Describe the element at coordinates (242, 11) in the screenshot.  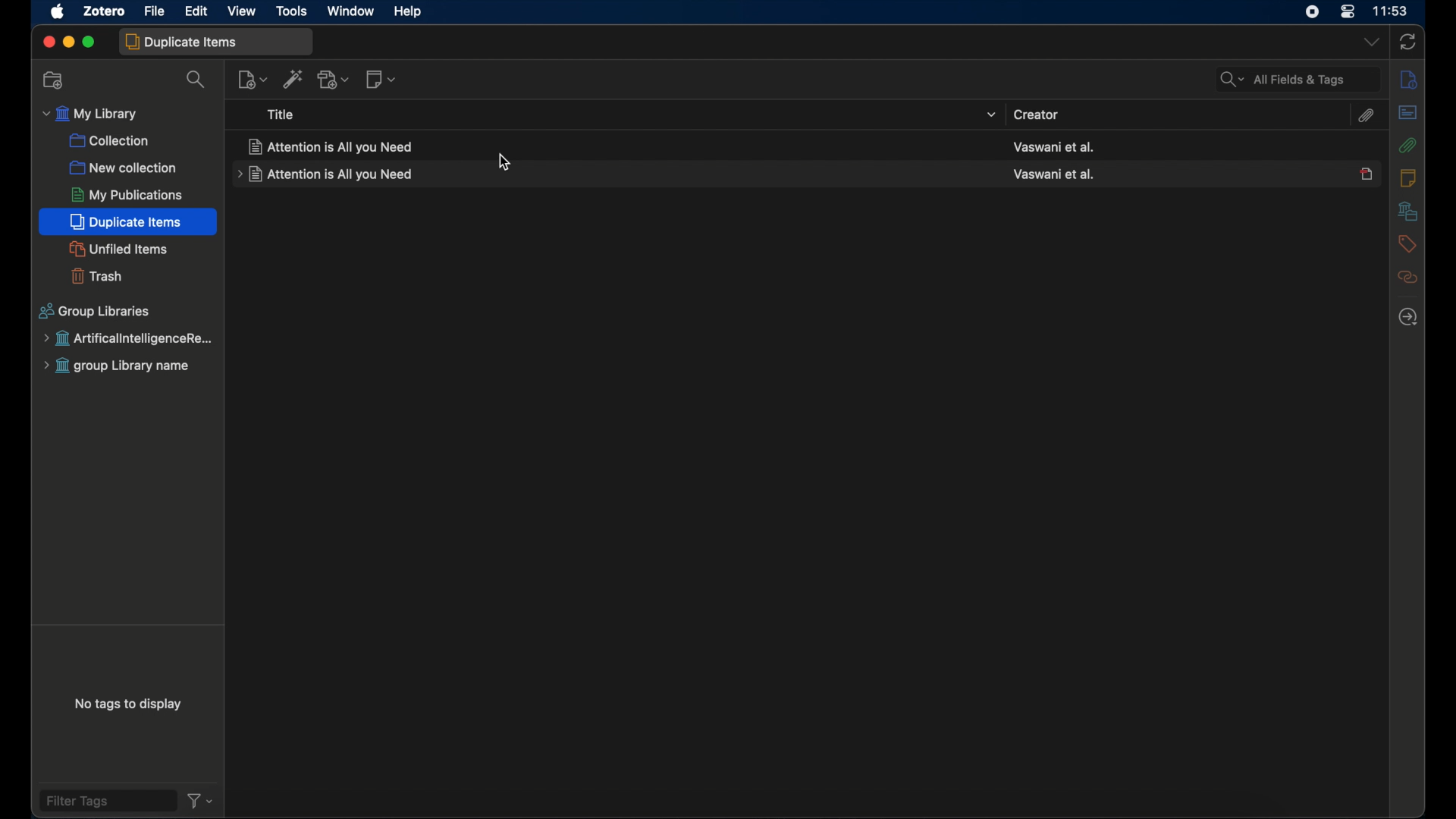
I see `view` at that location.